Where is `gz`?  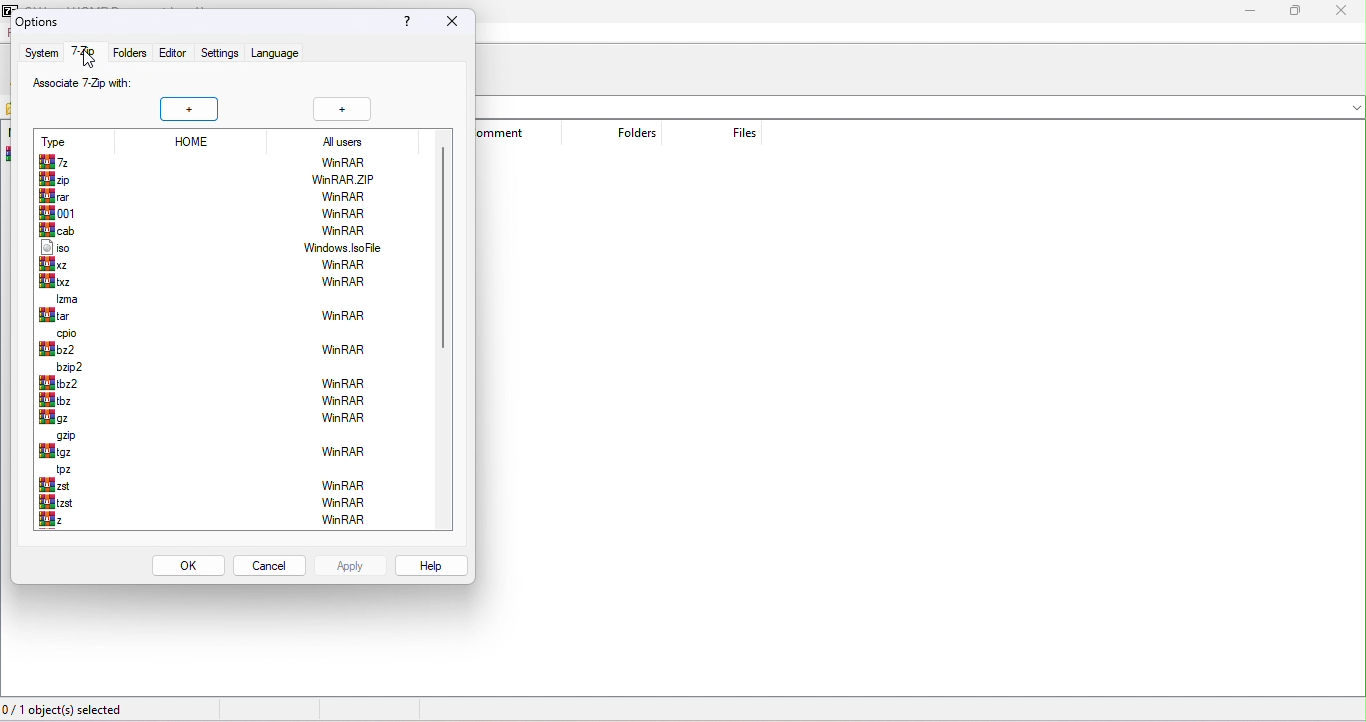 gz is located at coordinates (69, 419).